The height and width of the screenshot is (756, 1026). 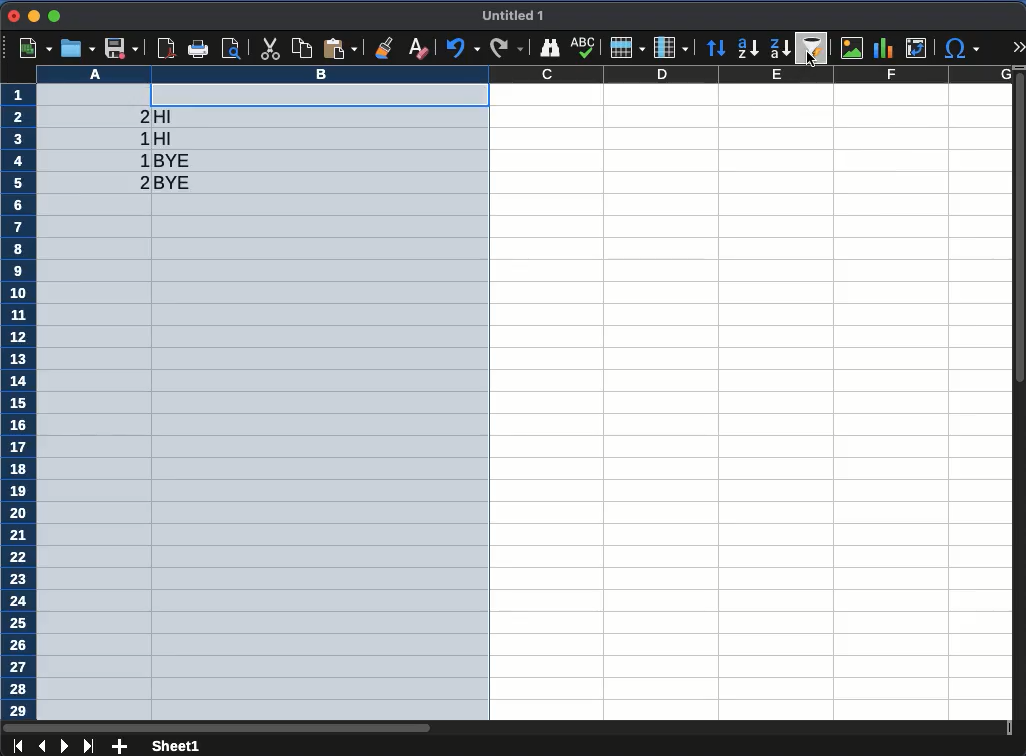 I want to click on hi, so click(x=168, y=118).